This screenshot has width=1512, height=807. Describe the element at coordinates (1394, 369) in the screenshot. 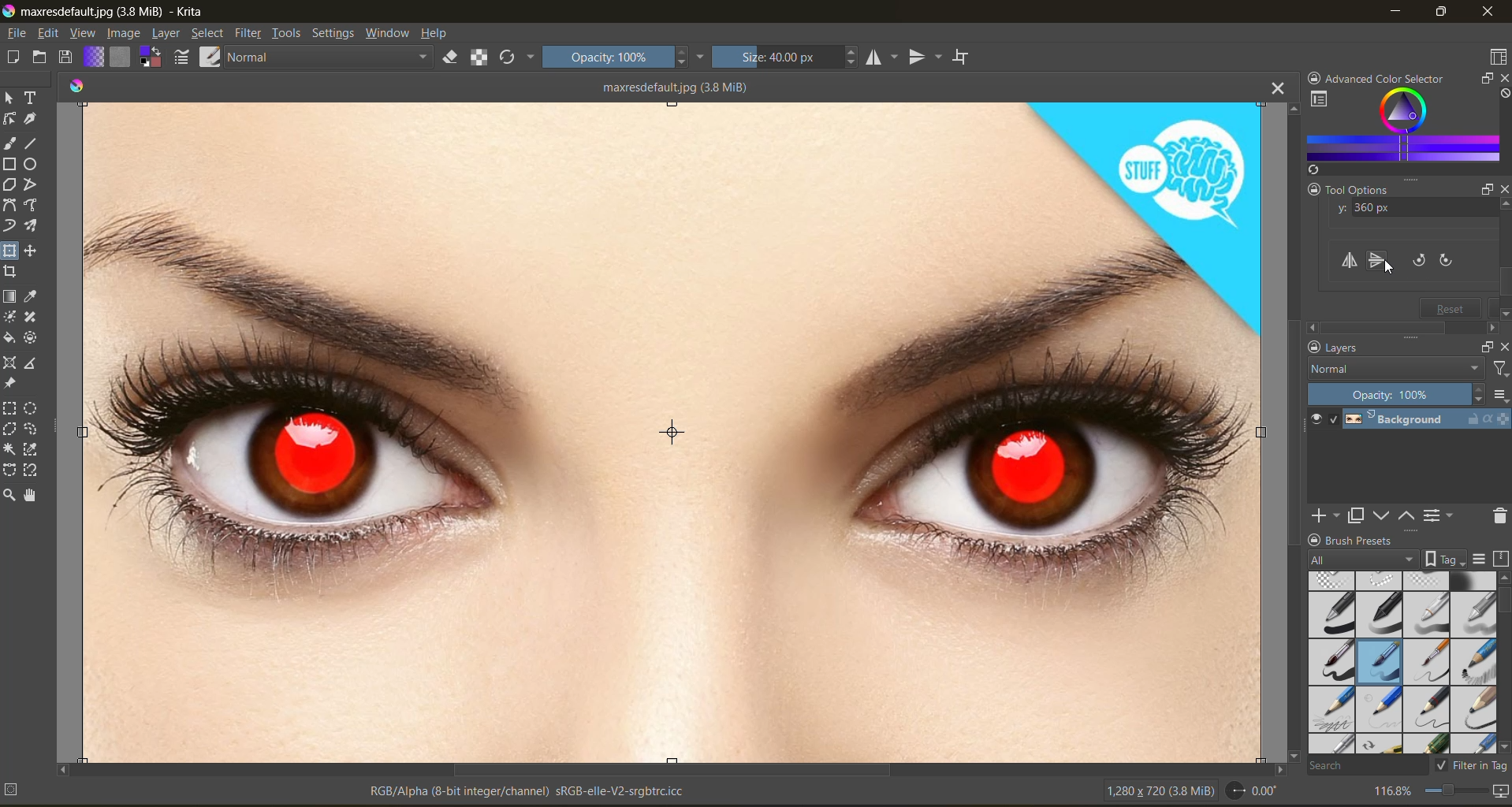

I see `normal` at that location.